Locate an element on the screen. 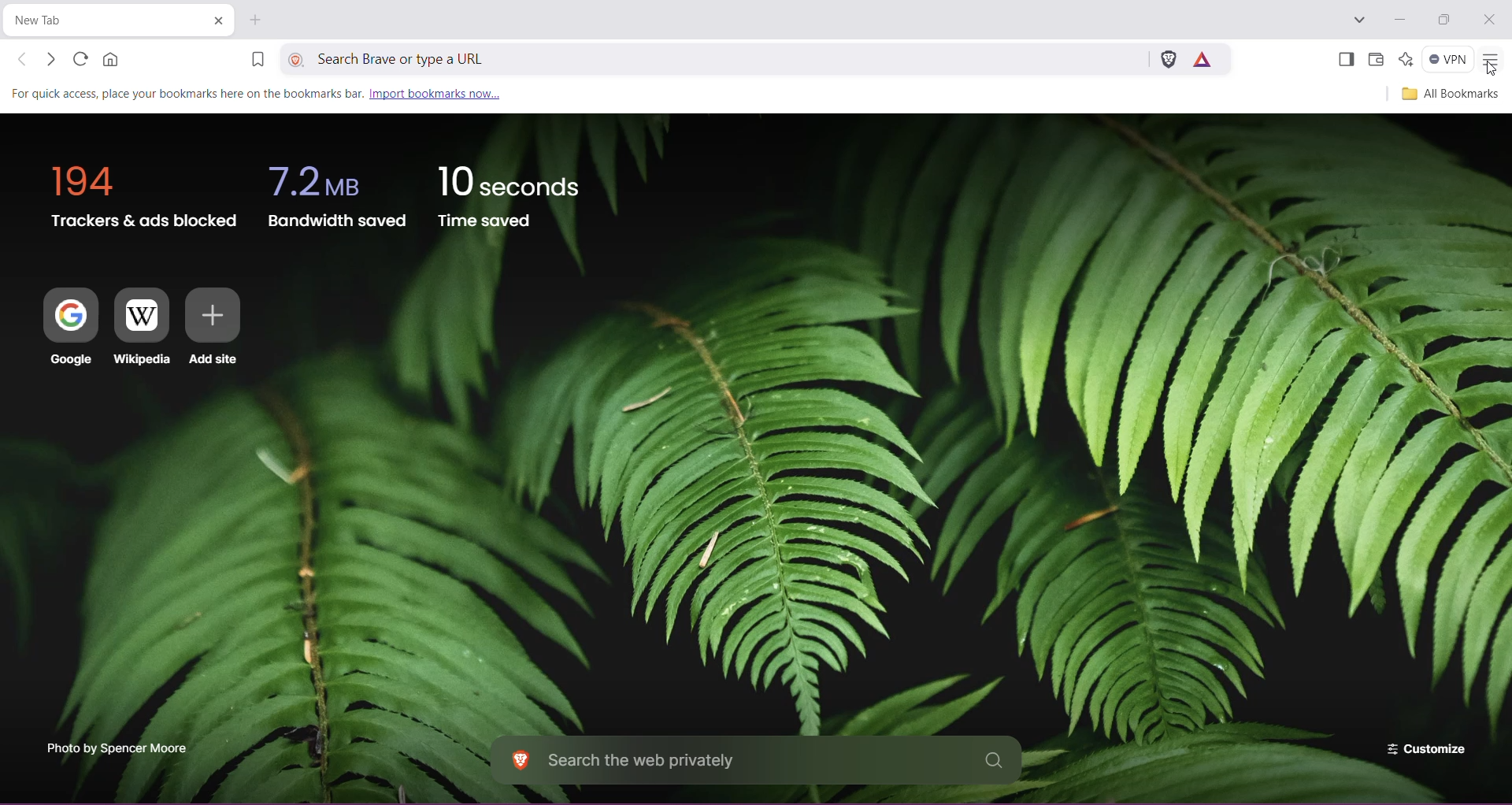 The image size is (1512, 805). Wikipedia is located at coordinates (142, 328).